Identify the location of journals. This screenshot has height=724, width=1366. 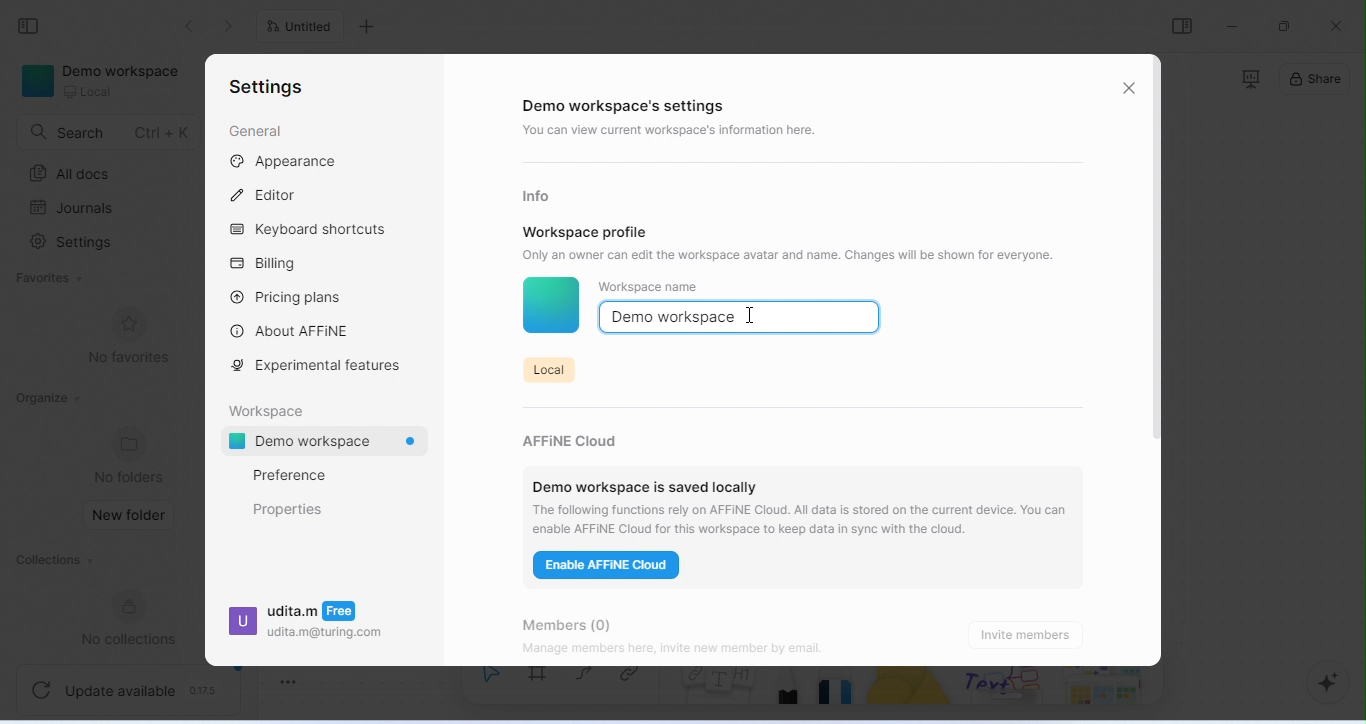
(74, 208).